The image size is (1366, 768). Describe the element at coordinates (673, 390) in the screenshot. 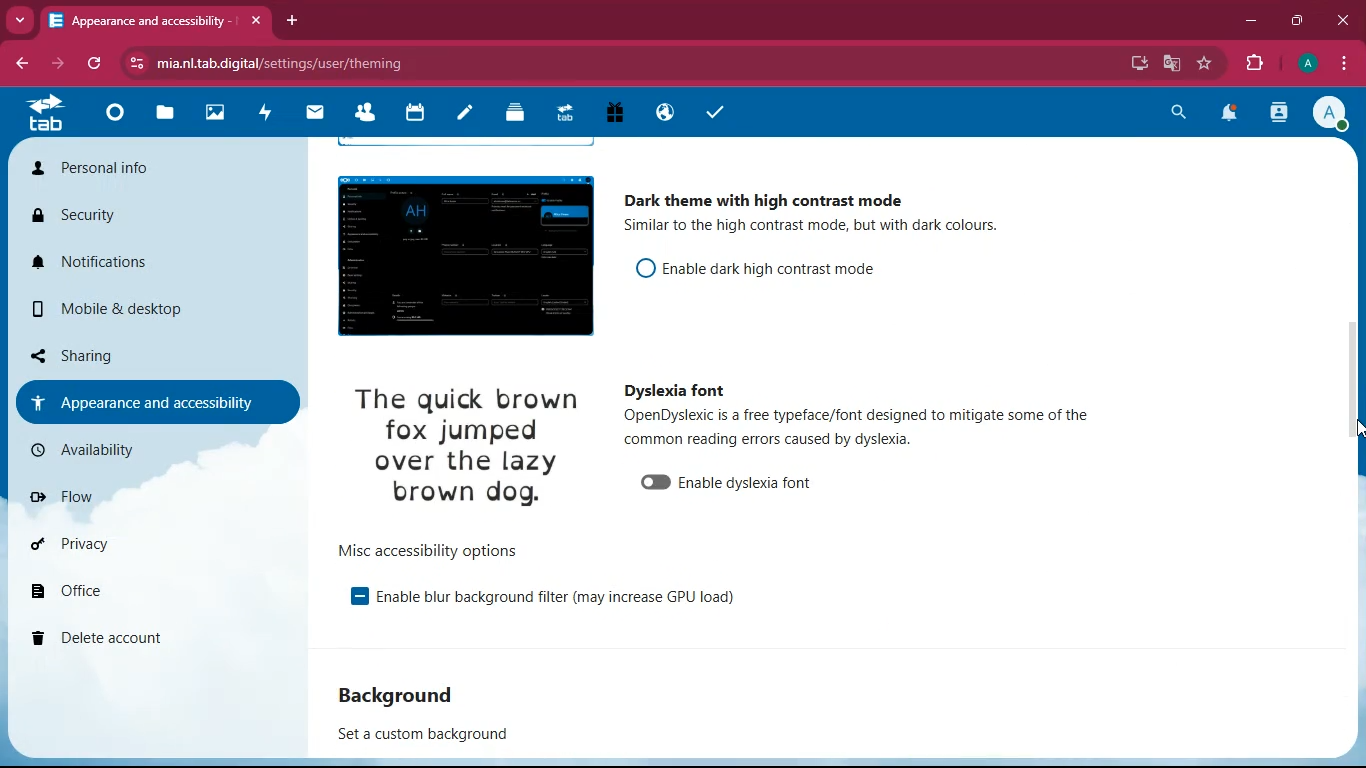

I see `dyslexia` at that location.